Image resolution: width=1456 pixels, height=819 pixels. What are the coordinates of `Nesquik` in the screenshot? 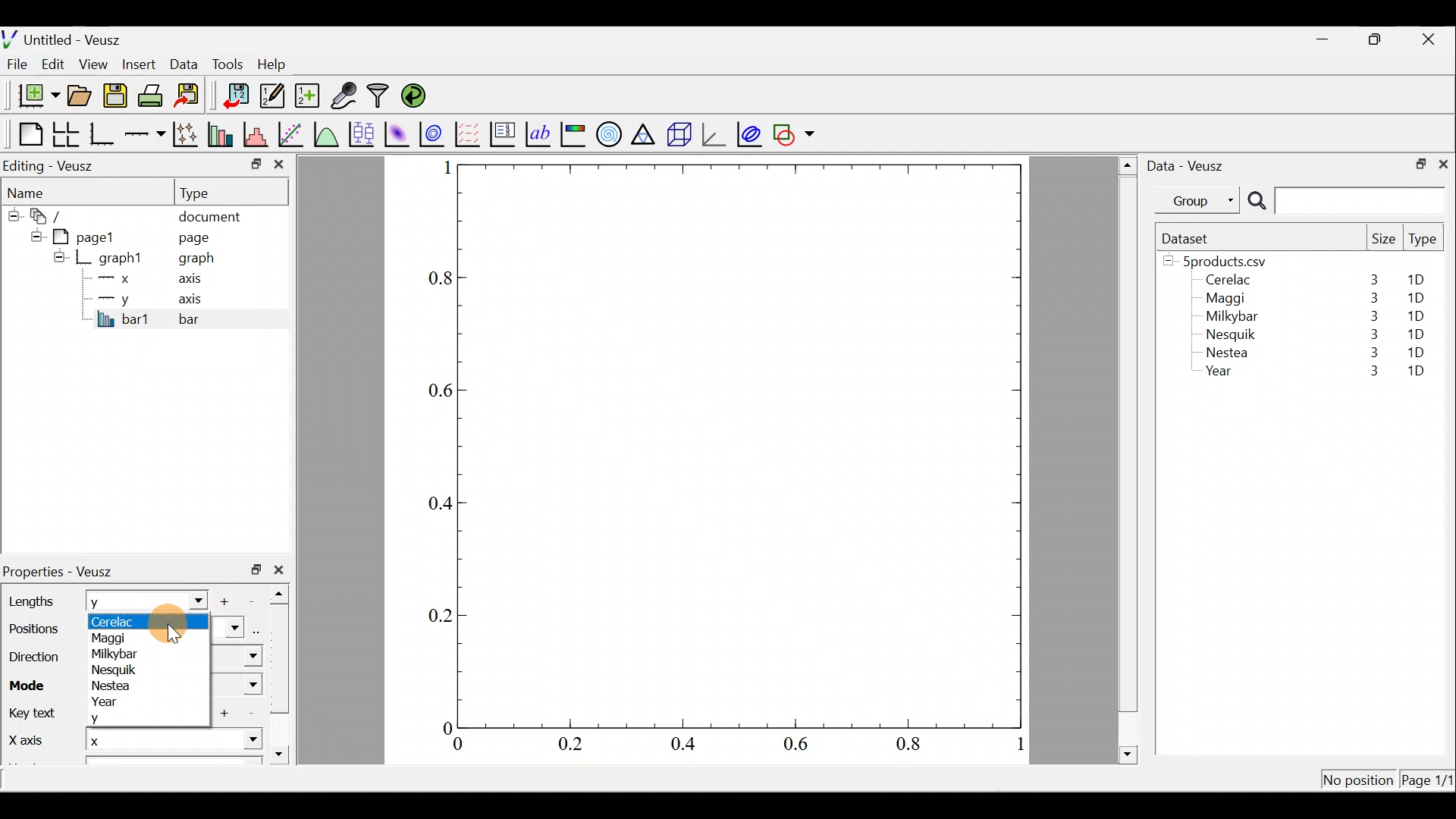 It's located at (1228, 334).